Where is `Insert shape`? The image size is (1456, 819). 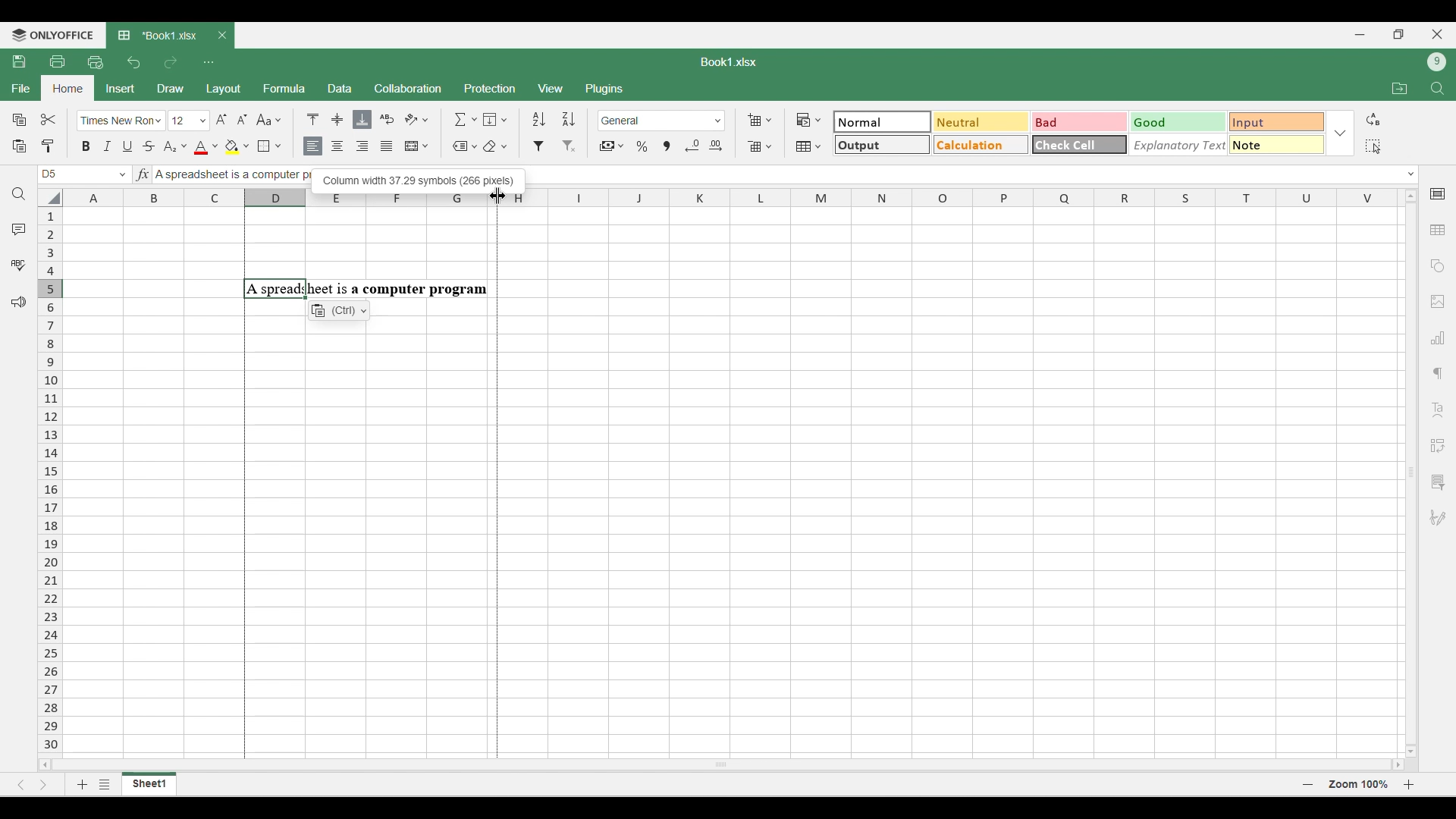 Insert shape is located at coordinates (1436, 266).